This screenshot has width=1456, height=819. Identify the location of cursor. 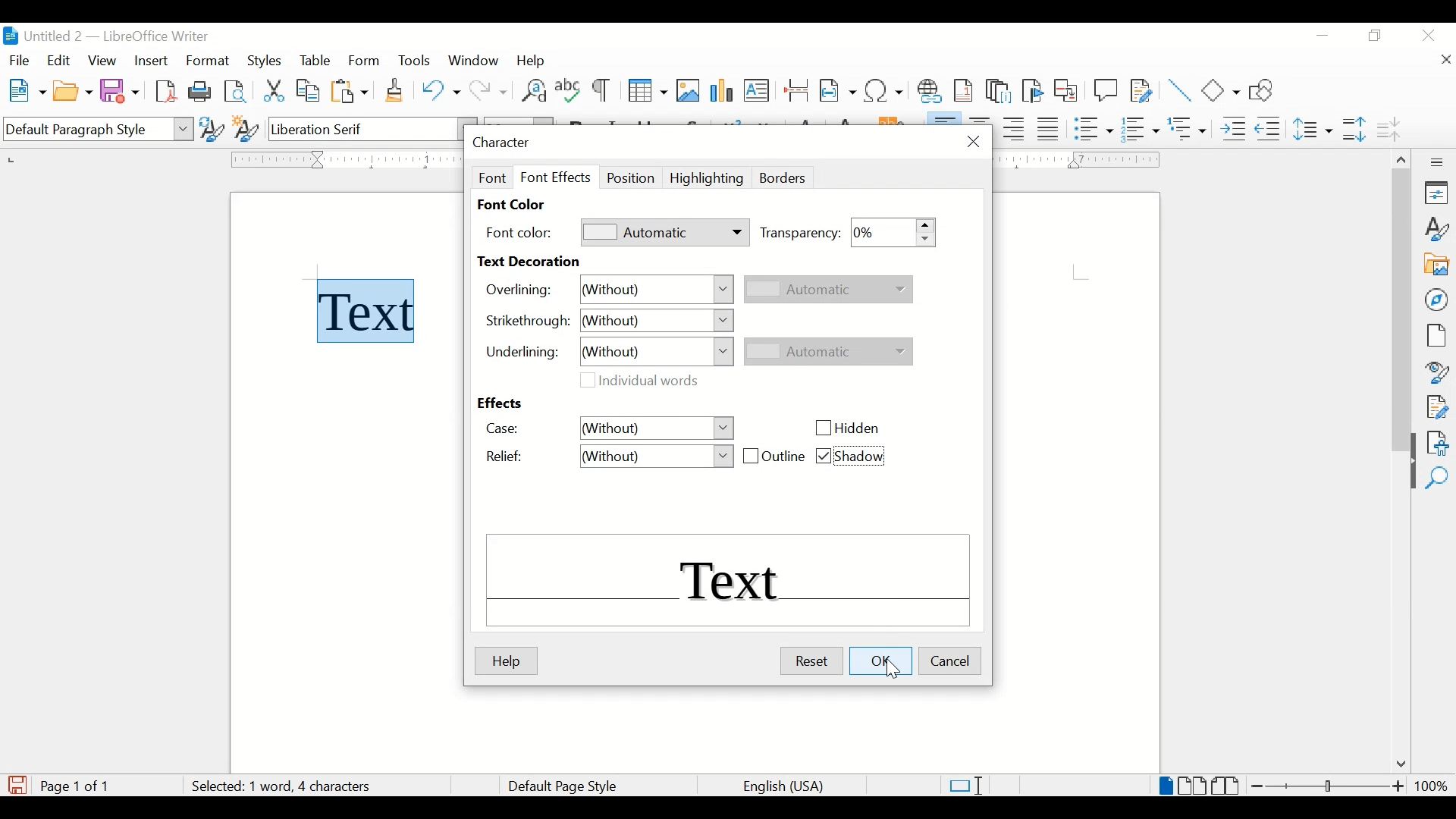
(892, 676).